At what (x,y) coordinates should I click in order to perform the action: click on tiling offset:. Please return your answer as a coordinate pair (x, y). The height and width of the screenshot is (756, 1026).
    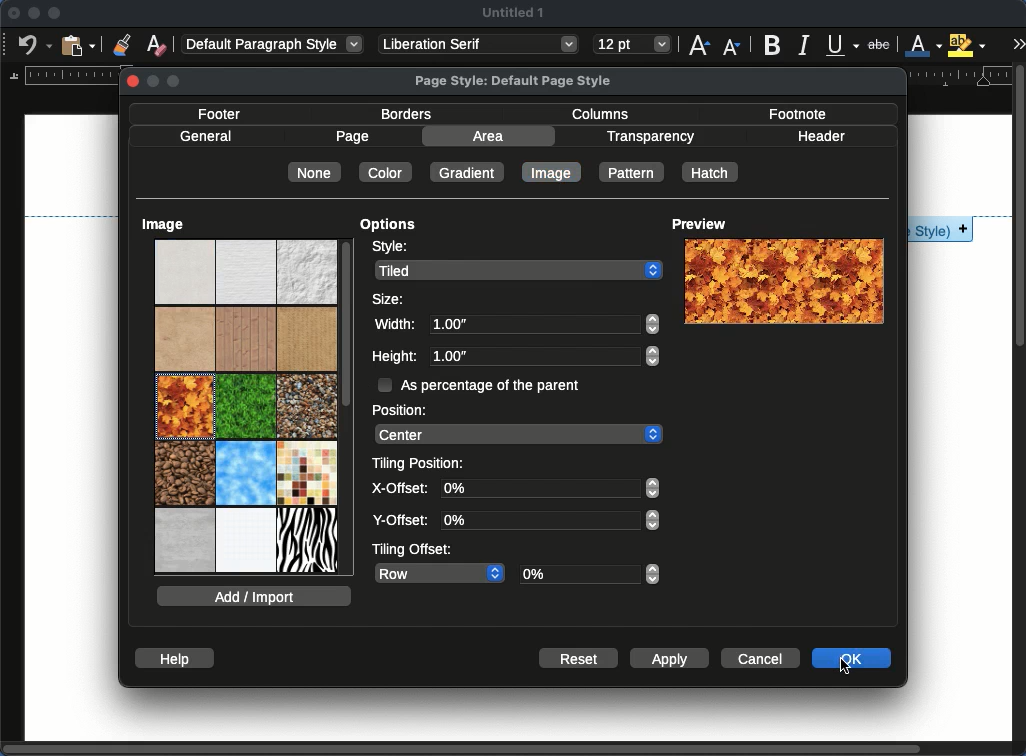
    Looking at the image, I should click on (414, 550).